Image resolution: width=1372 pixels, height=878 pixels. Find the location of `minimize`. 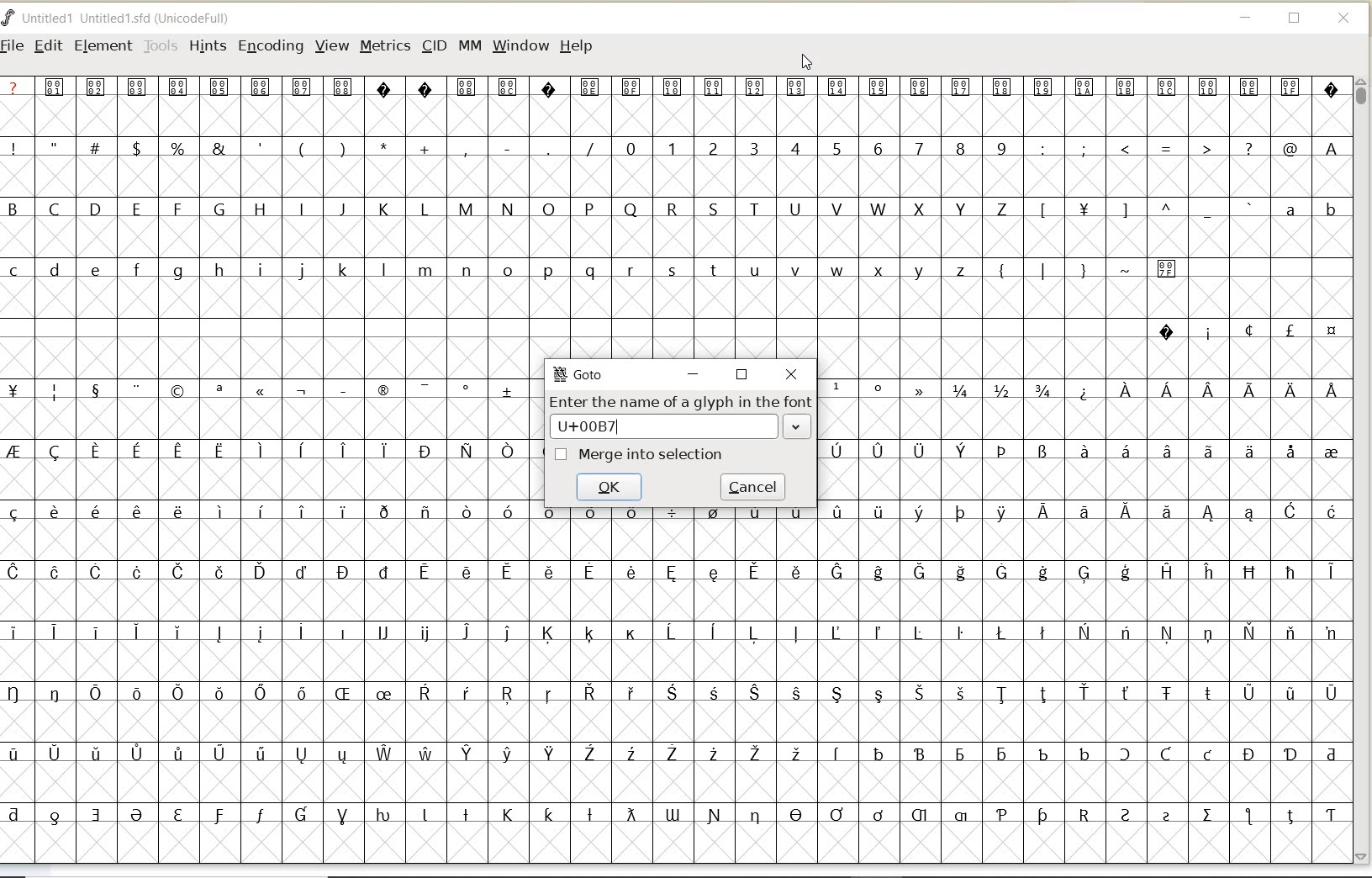

minimize is located at coordinates (693, 373).